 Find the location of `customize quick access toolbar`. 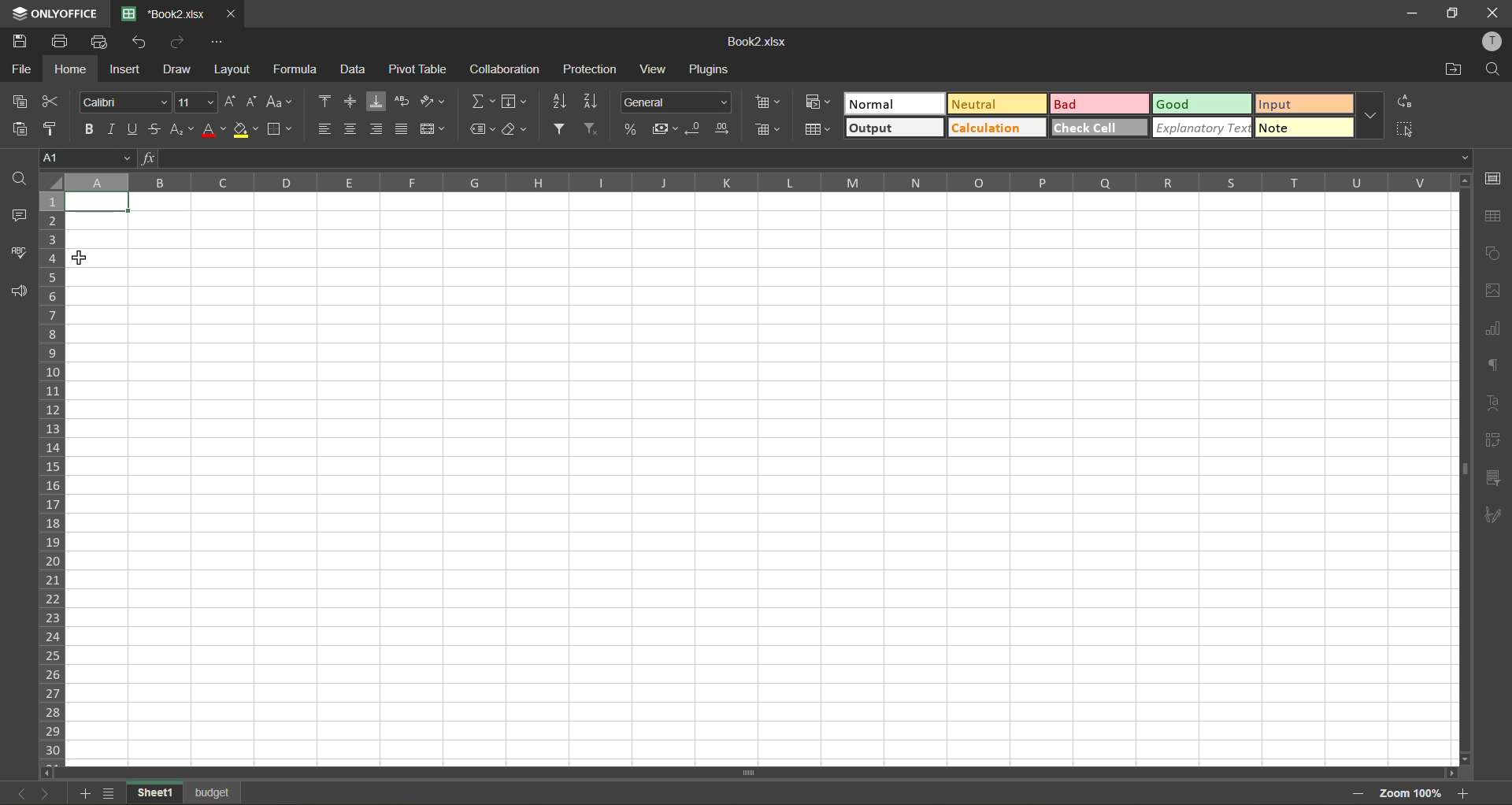

customize quick access toolbar is located at coordinates (221, 43).